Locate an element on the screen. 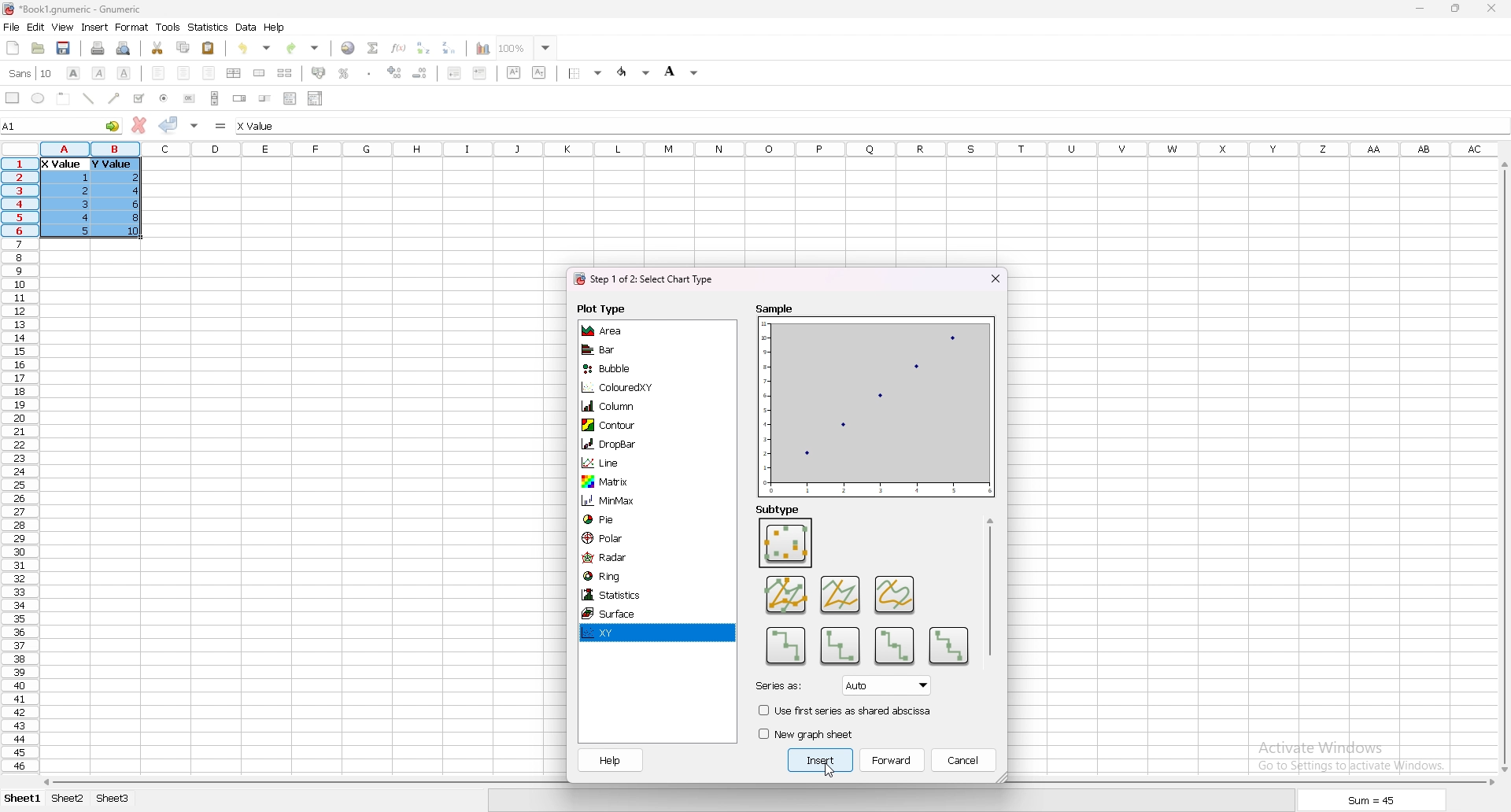 The width and height of the screenshot is (1511, 812). paste is located at coordinates (209, 47).